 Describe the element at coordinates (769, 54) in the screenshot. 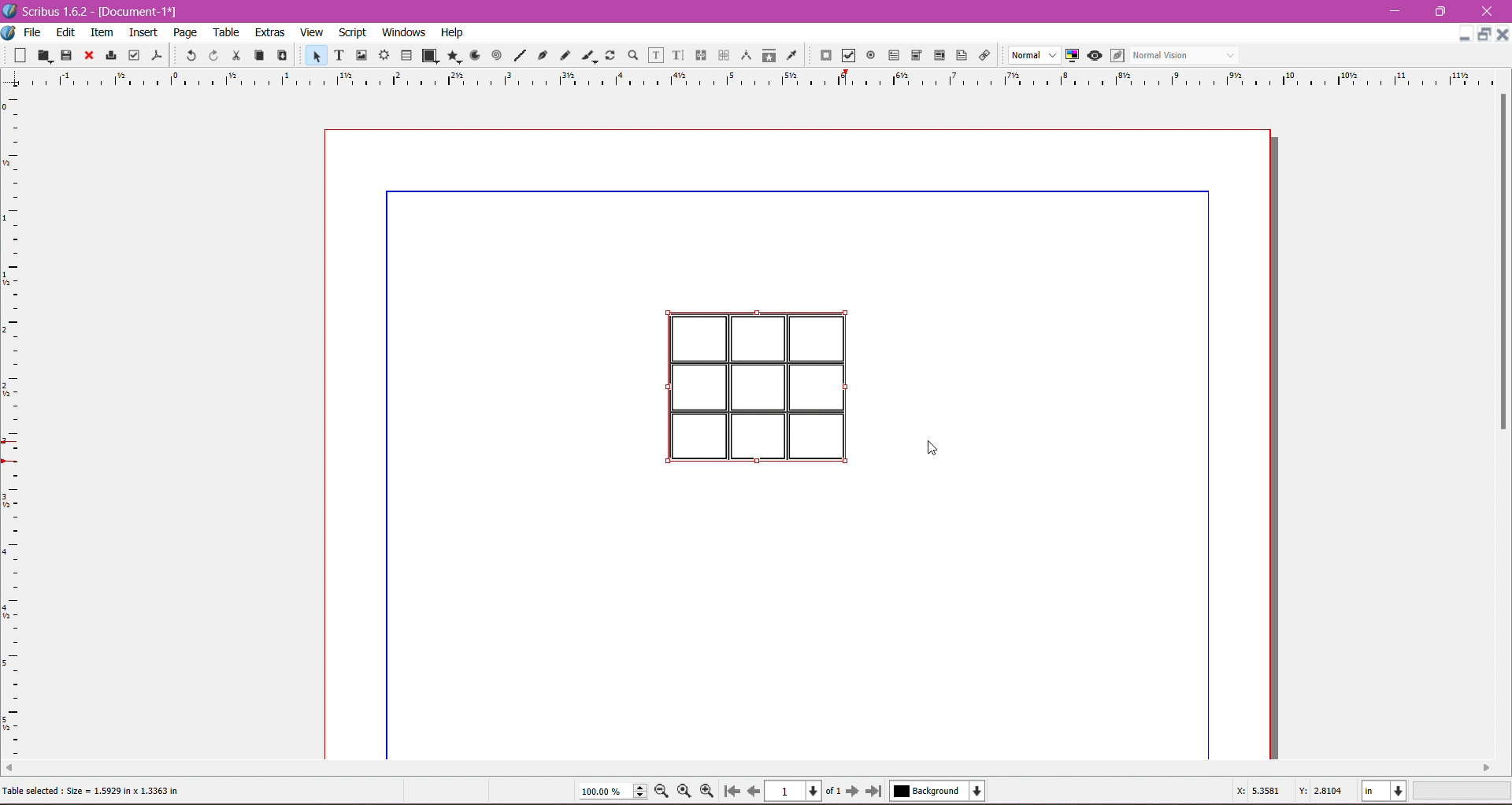

I see `Copy Item Properties` at that location.